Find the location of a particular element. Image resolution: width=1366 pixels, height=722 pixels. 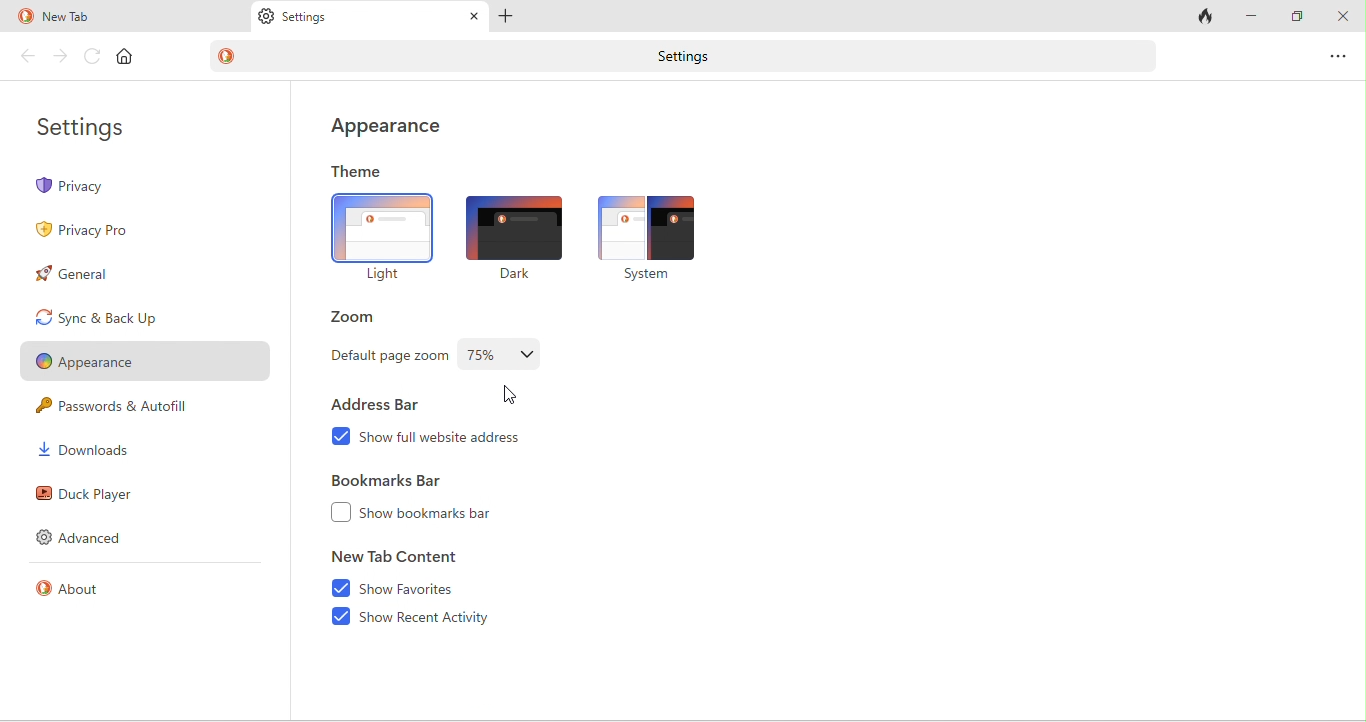

cursor movement is located at coordinates (508, 396).